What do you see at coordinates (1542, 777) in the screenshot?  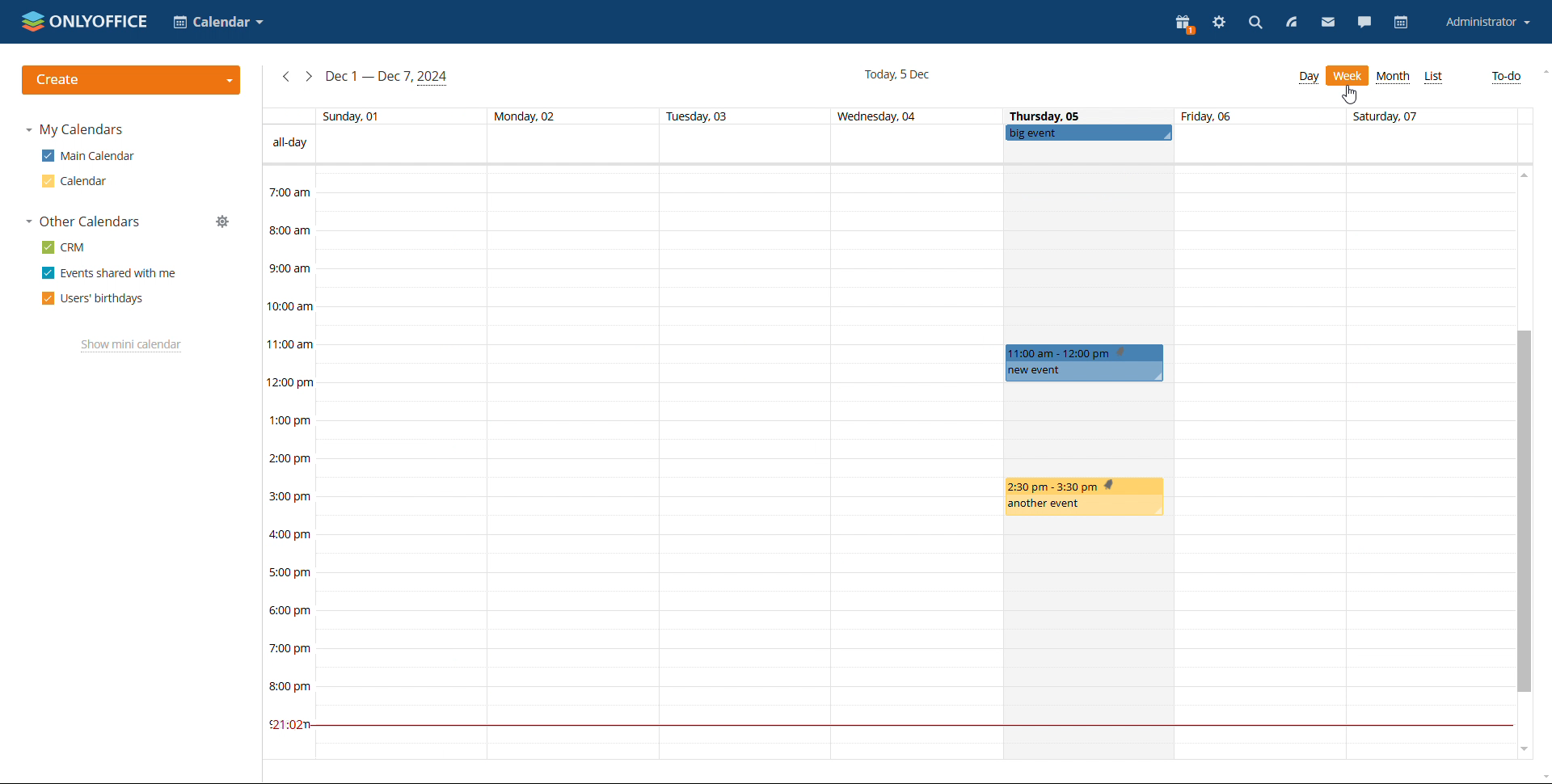 I see `scroll down` at bounding box center [1542, 777].